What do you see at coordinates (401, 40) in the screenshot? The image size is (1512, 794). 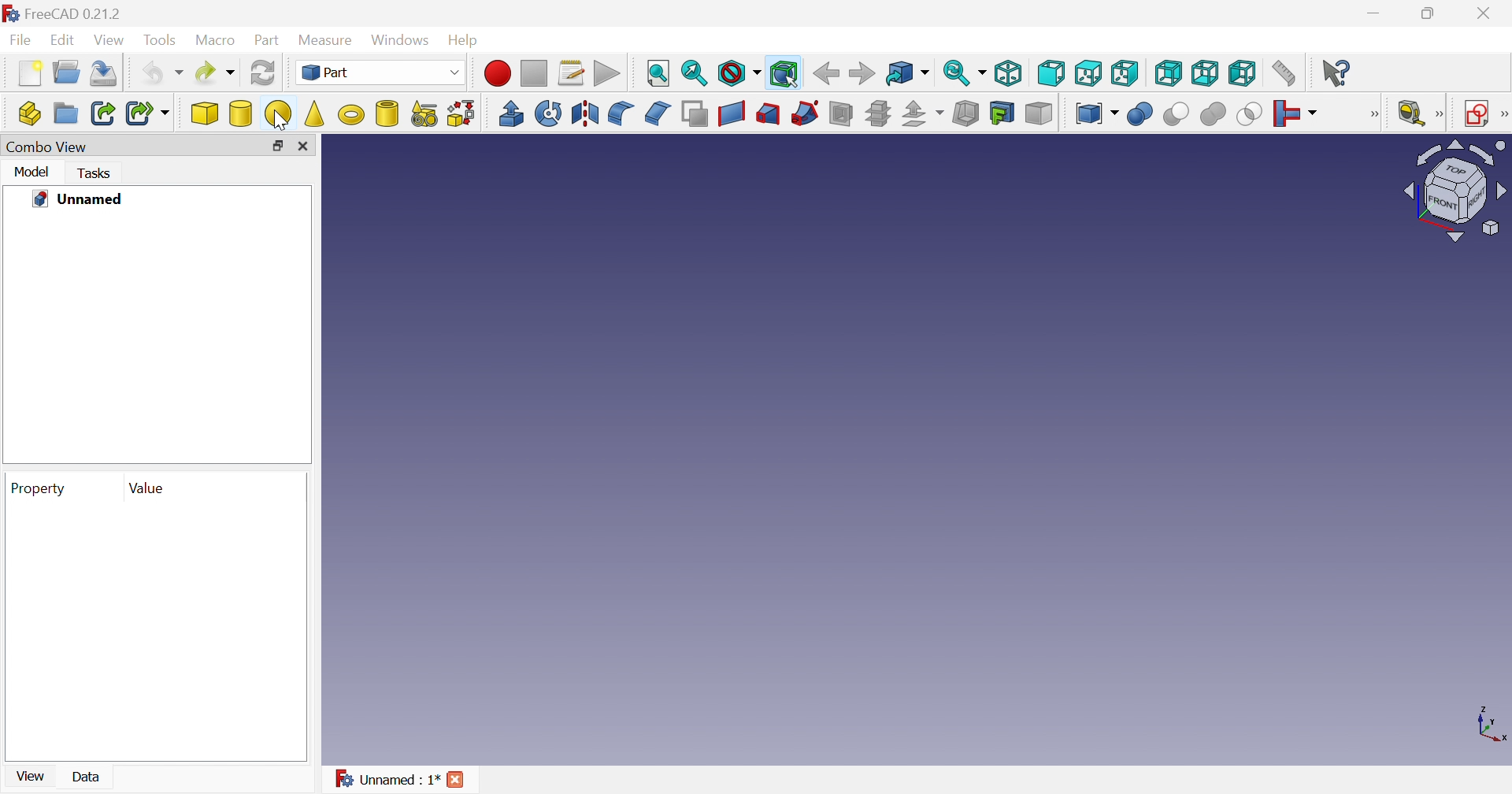 I see `Windows` at bounding box center [401, 40].